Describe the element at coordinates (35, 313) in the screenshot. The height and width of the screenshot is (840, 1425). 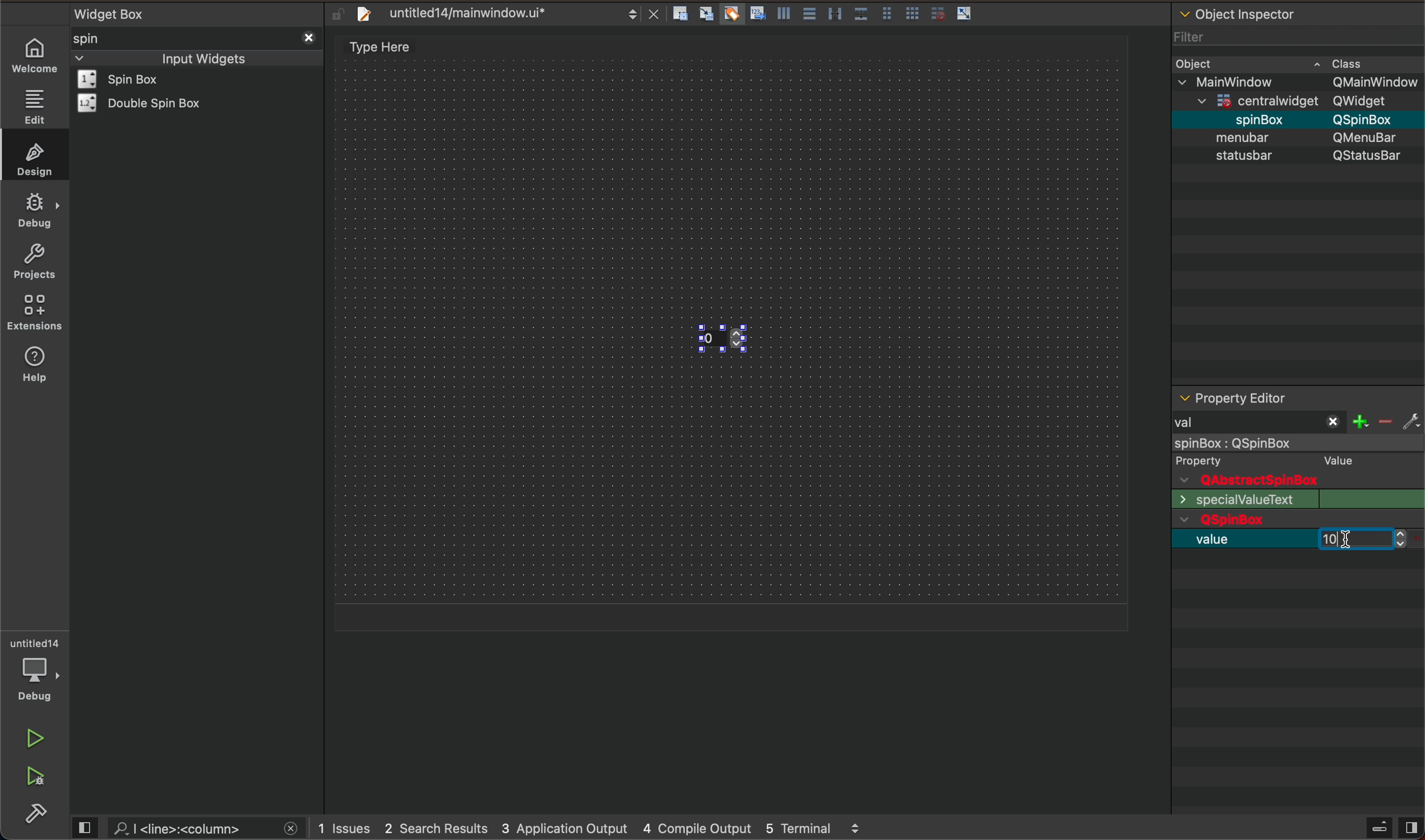
I see `extension` at that location.